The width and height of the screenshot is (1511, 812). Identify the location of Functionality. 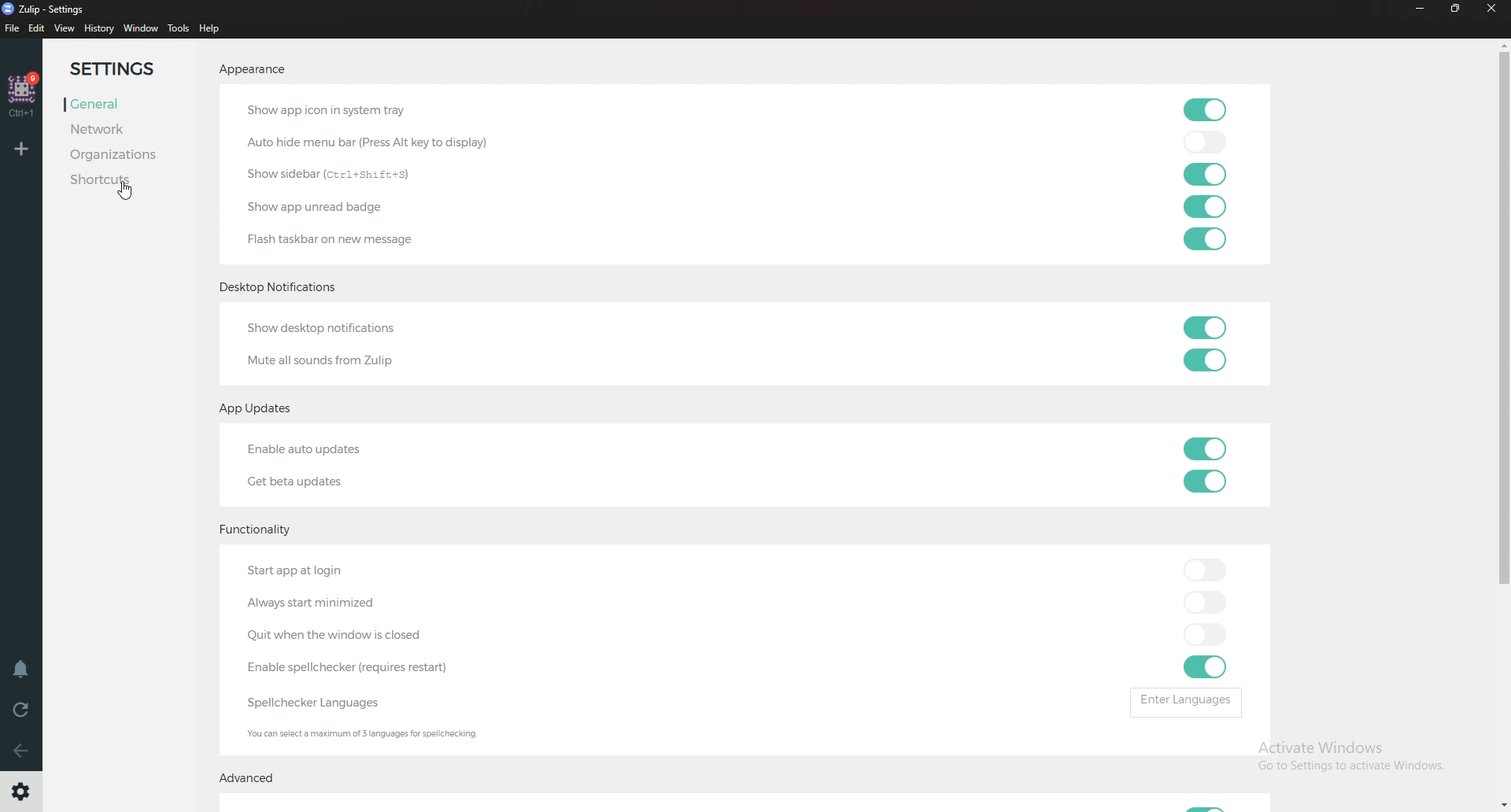
(268, 527).